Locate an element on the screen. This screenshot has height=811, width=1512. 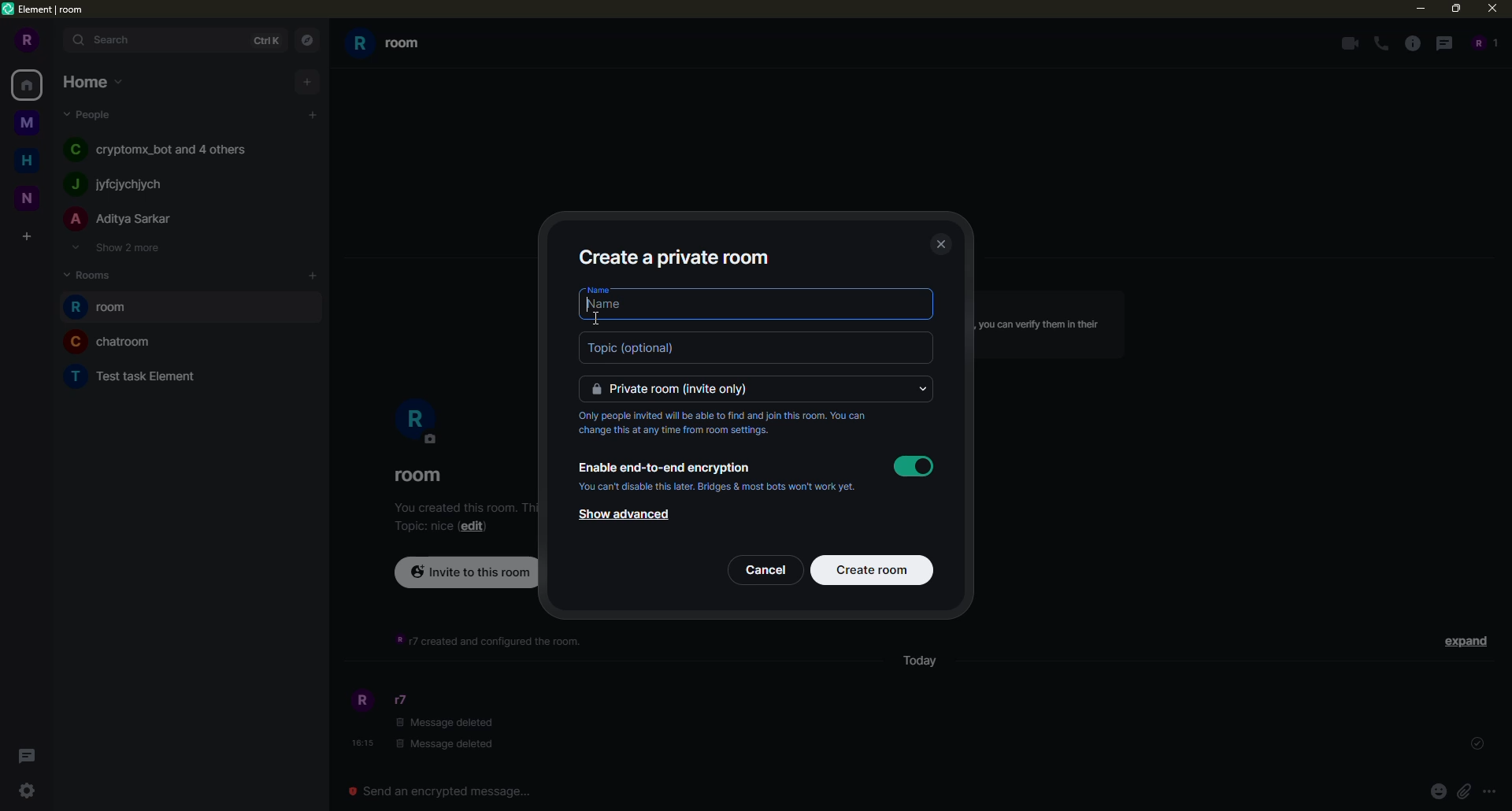
name is located at coordinates (600, 290).